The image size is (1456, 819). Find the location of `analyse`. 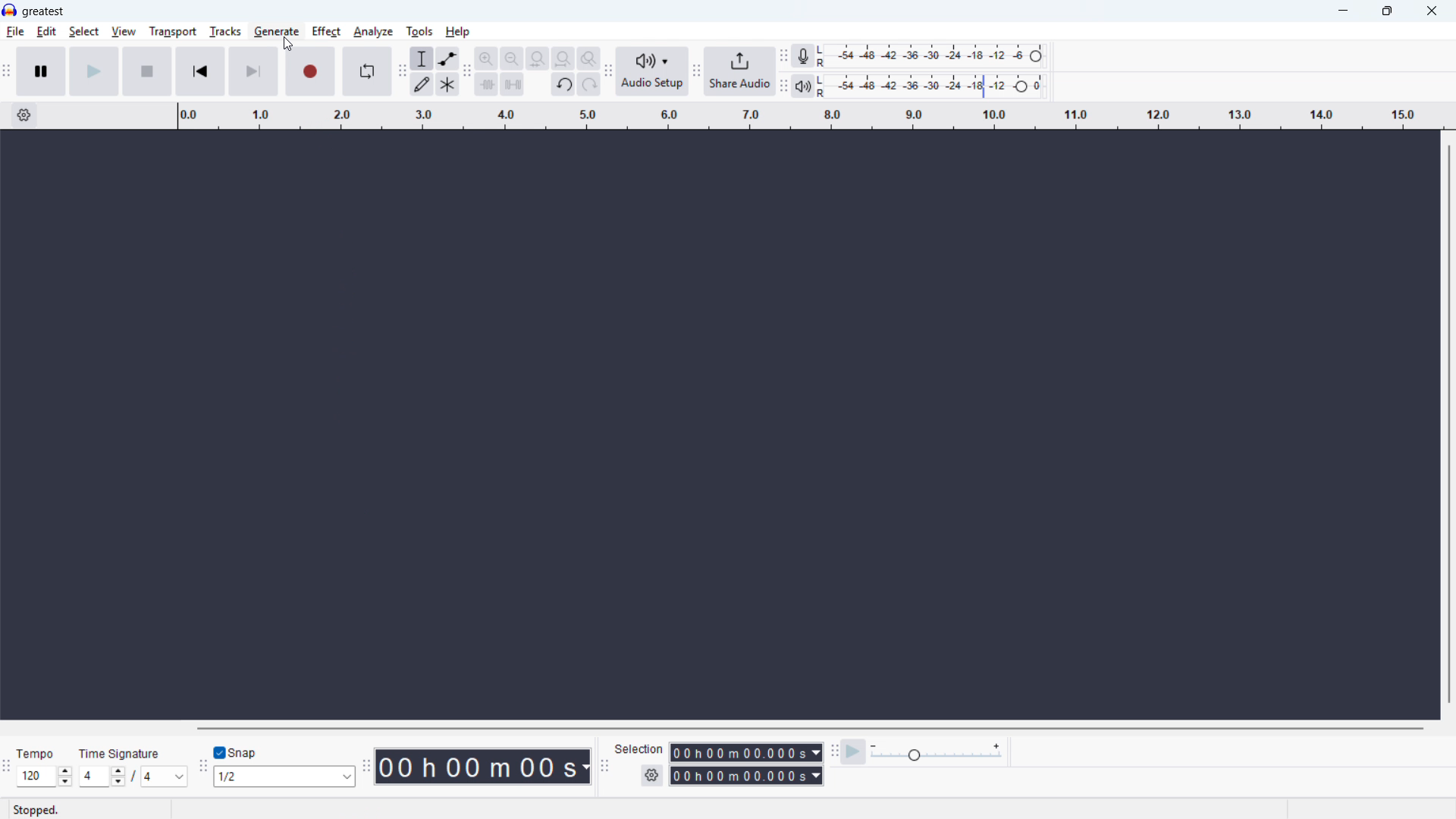

analyse is located at coordinates (374, 32).